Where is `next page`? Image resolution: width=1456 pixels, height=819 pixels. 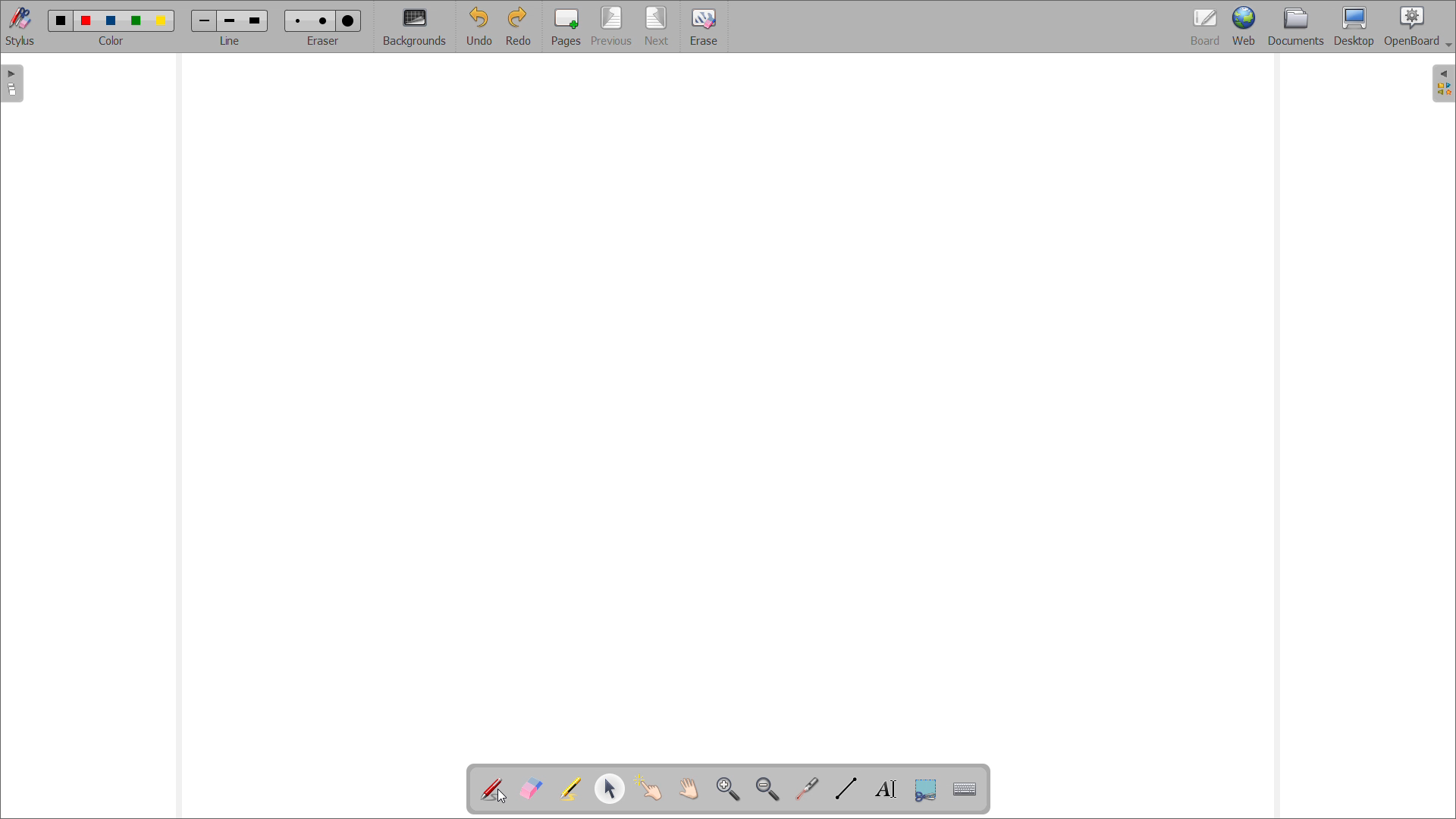 next page is located at coordinates (657, 27).